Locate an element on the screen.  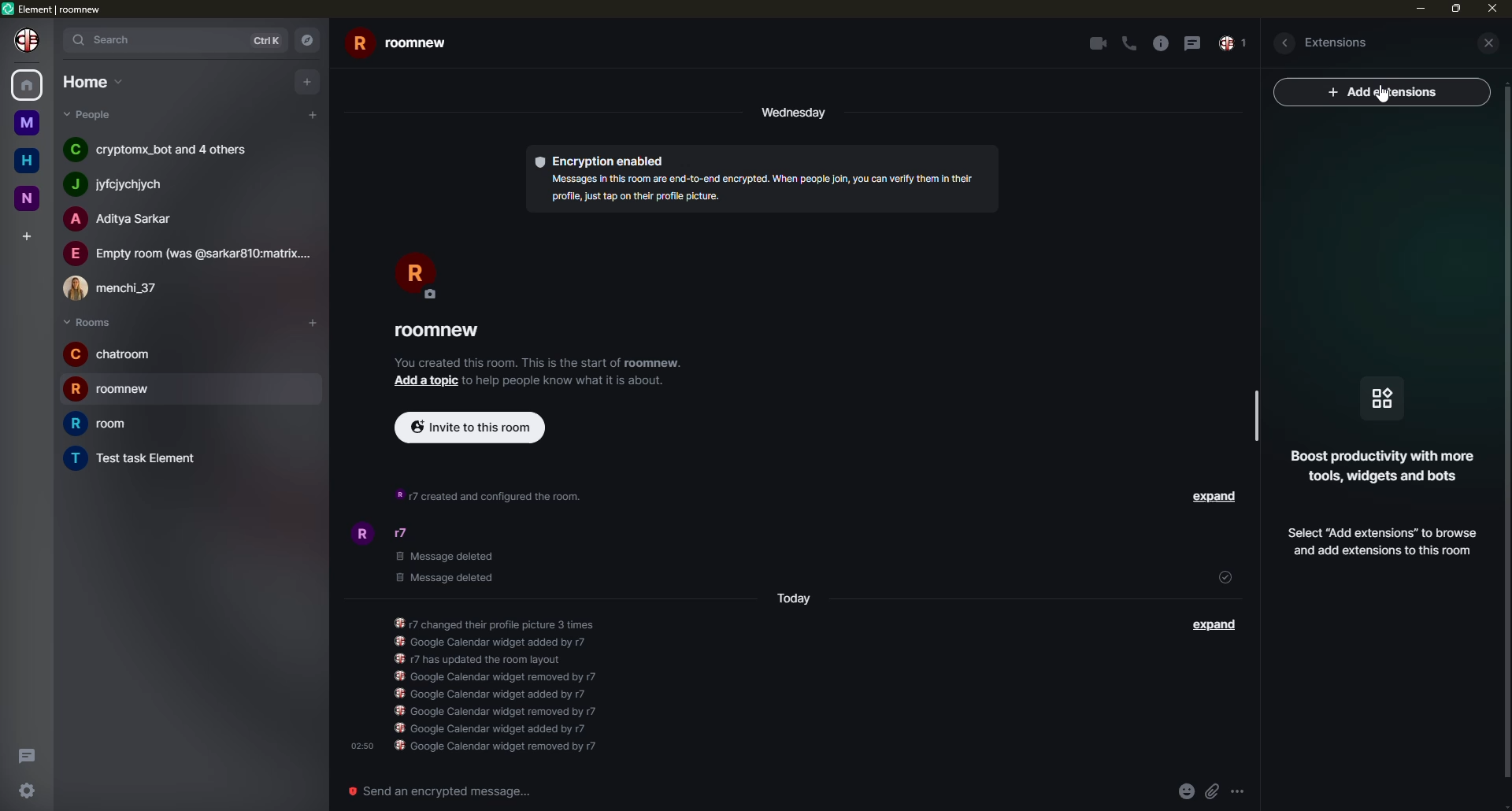
min is located at coordinates (1415, 9).